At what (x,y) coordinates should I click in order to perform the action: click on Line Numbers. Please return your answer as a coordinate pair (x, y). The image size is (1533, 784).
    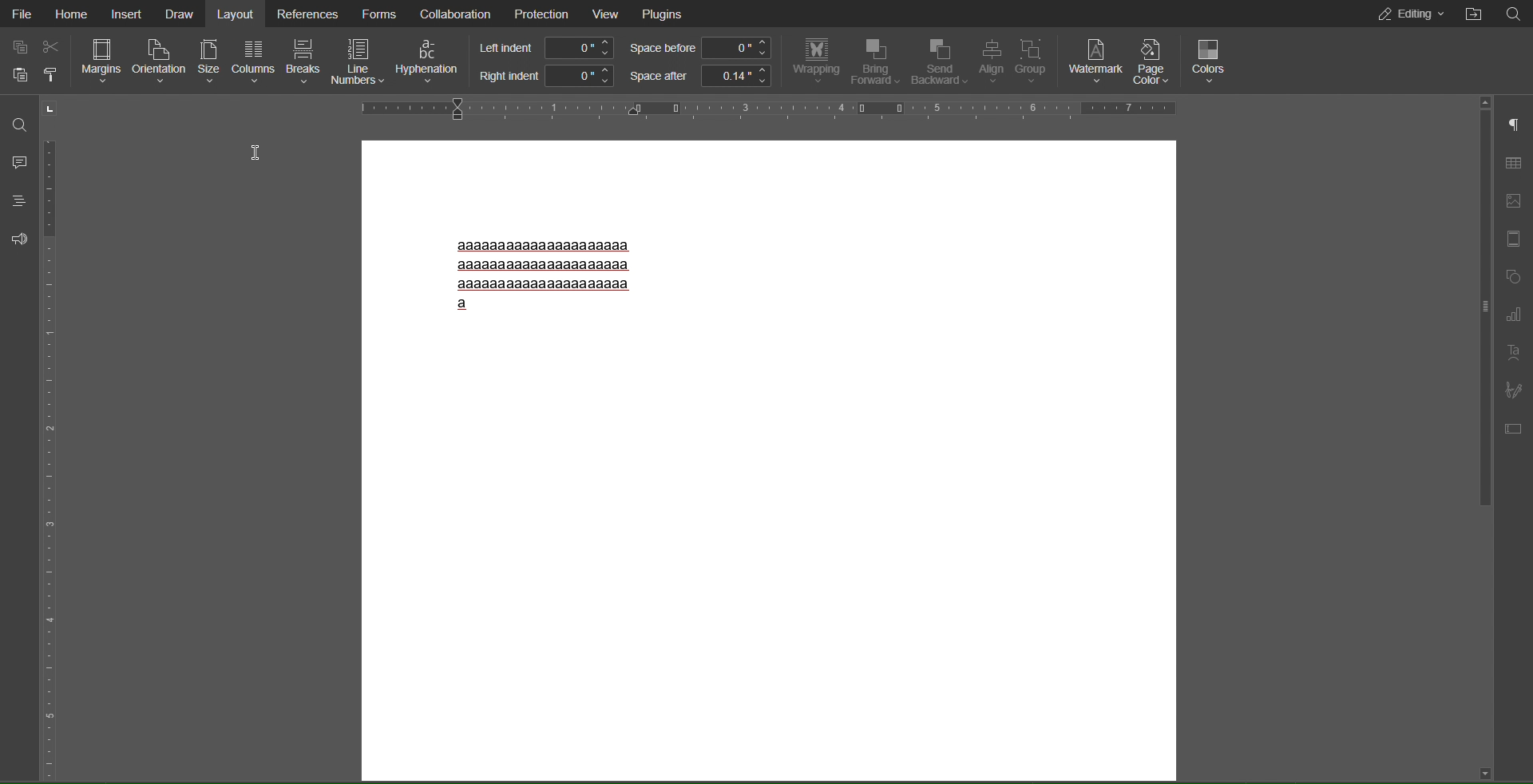
    Looking at the image, I should click on (358, 63).